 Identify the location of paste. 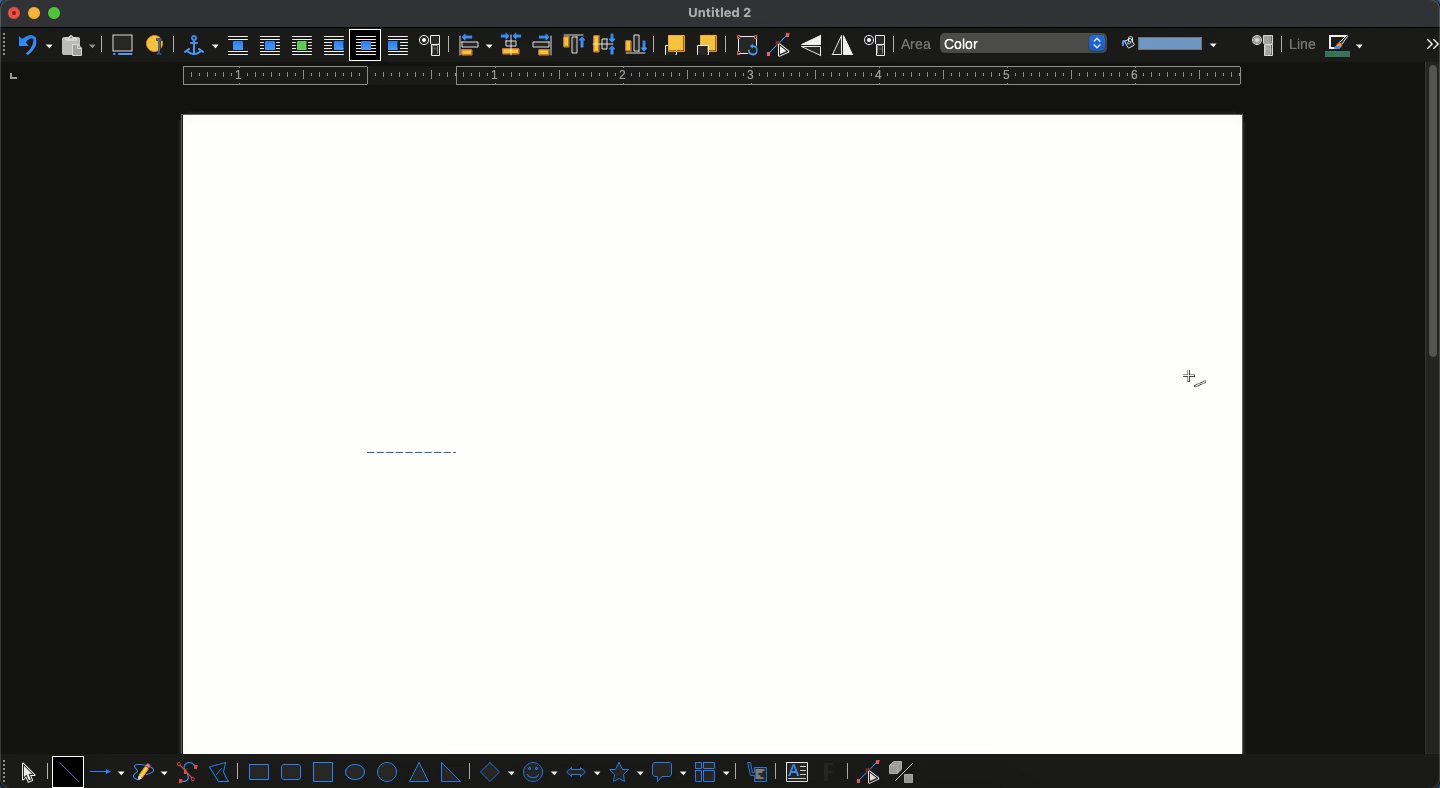
(76, 45).